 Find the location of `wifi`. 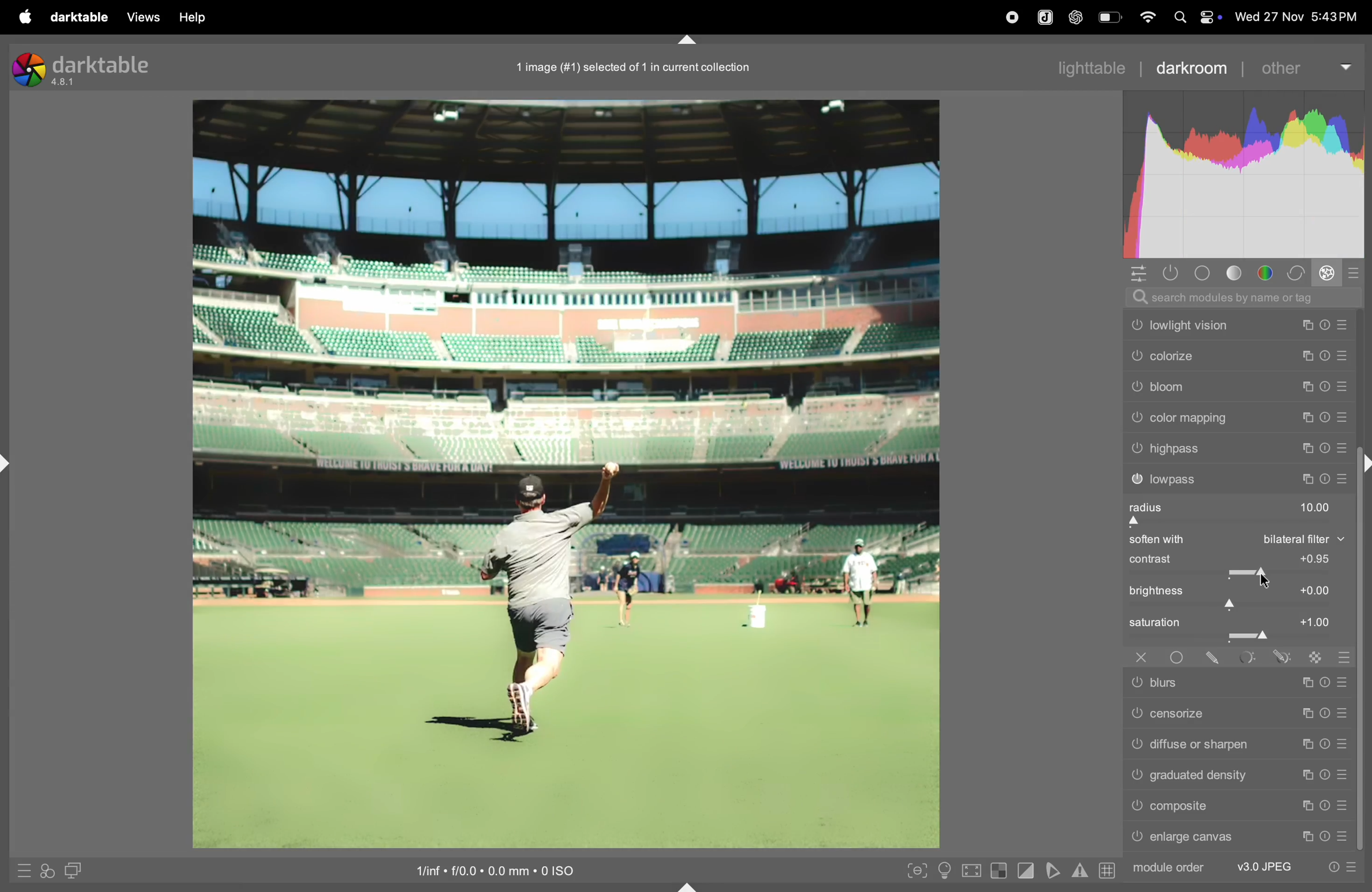

wifi is located at coordinates (1146, 17).